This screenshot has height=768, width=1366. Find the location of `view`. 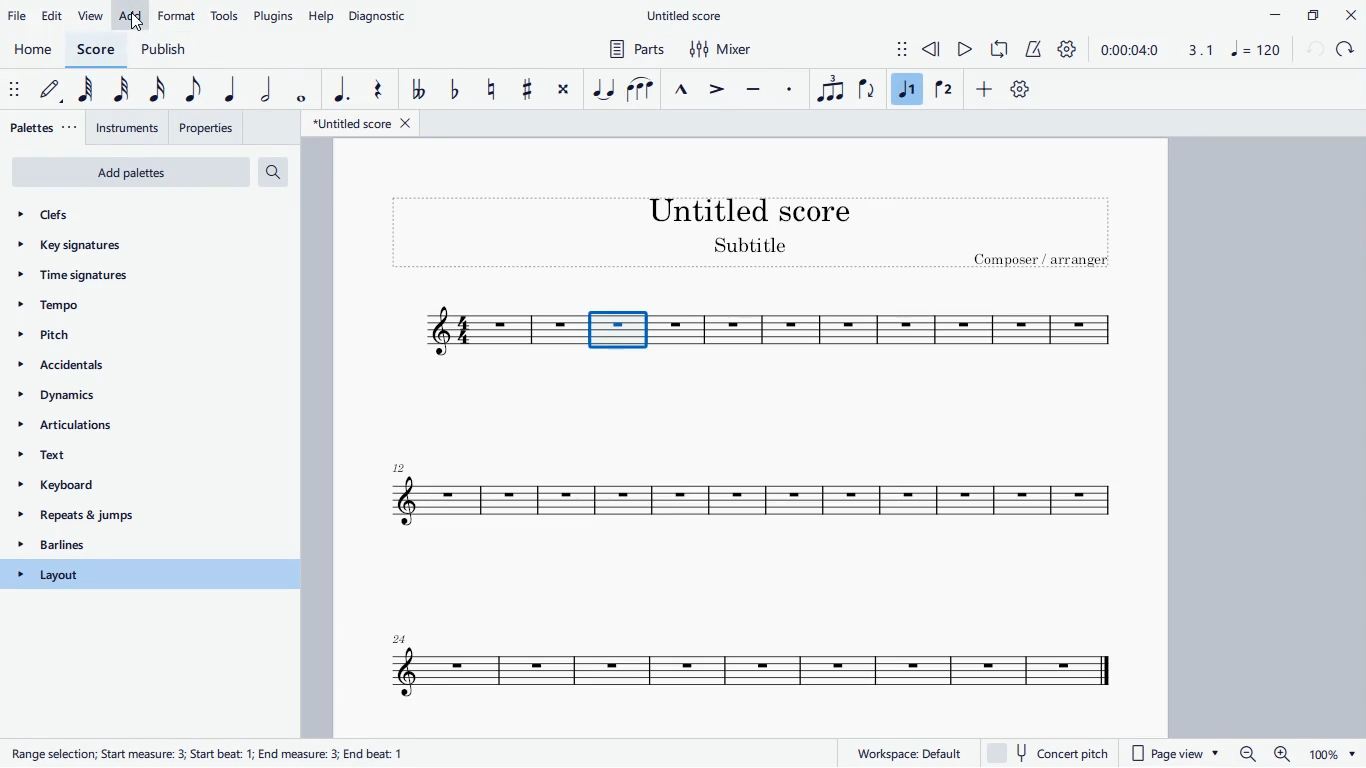

view is located at coordinates (91, 16).